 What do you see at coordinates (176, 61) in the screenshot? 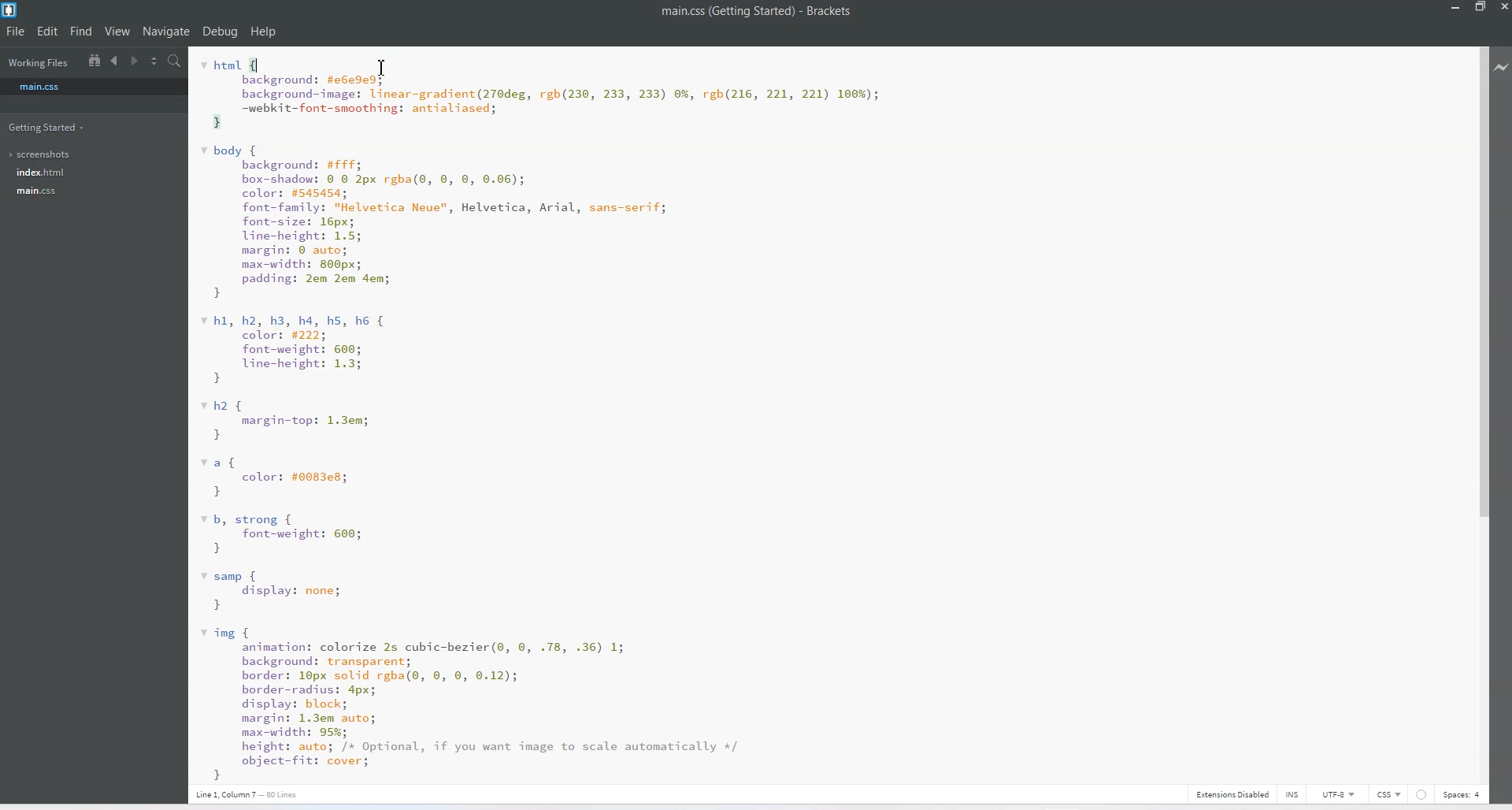
I see `Find In files` at bounding box center [176, 61].